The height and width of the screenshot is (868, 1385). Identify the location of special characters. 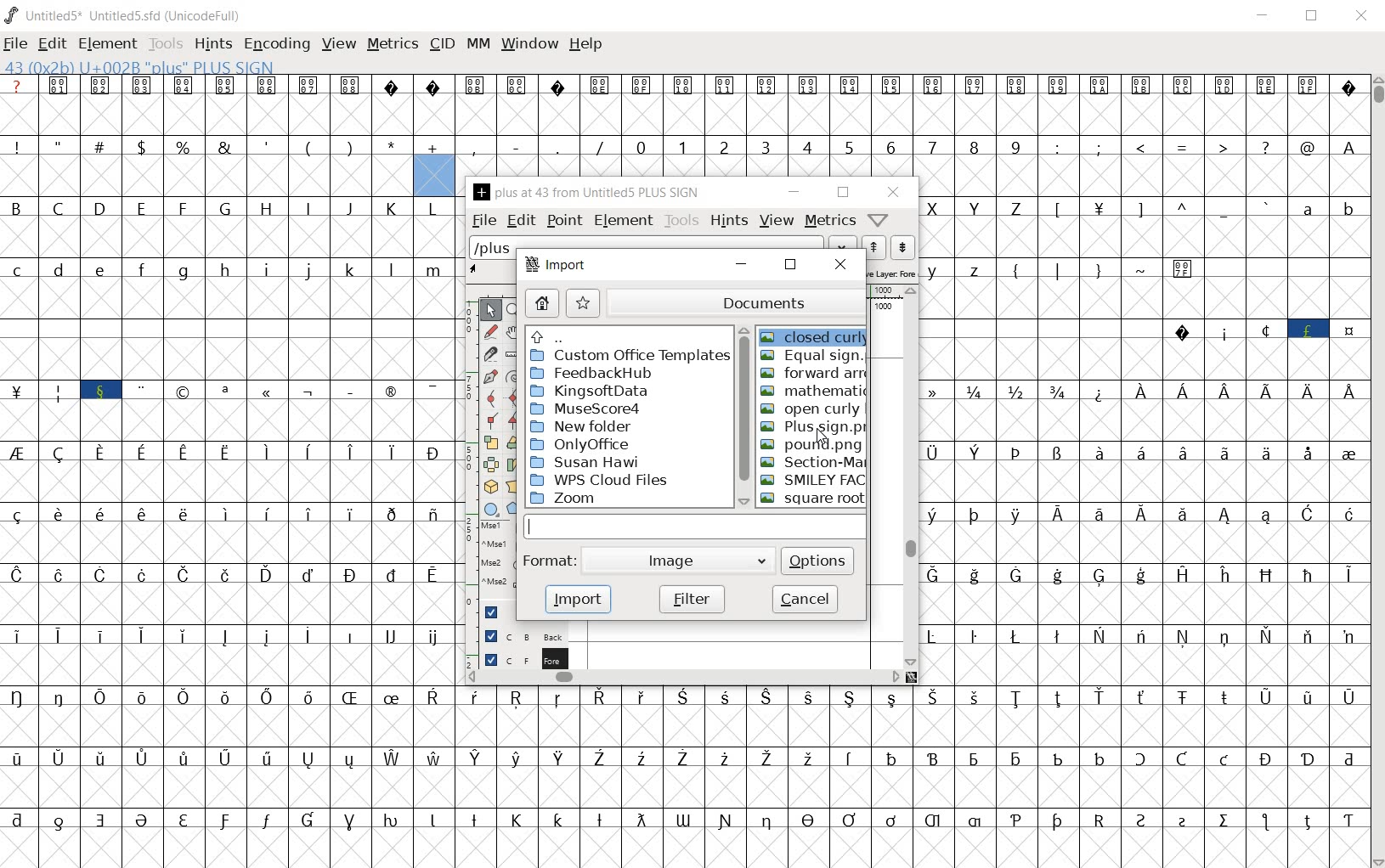
(82, 413).